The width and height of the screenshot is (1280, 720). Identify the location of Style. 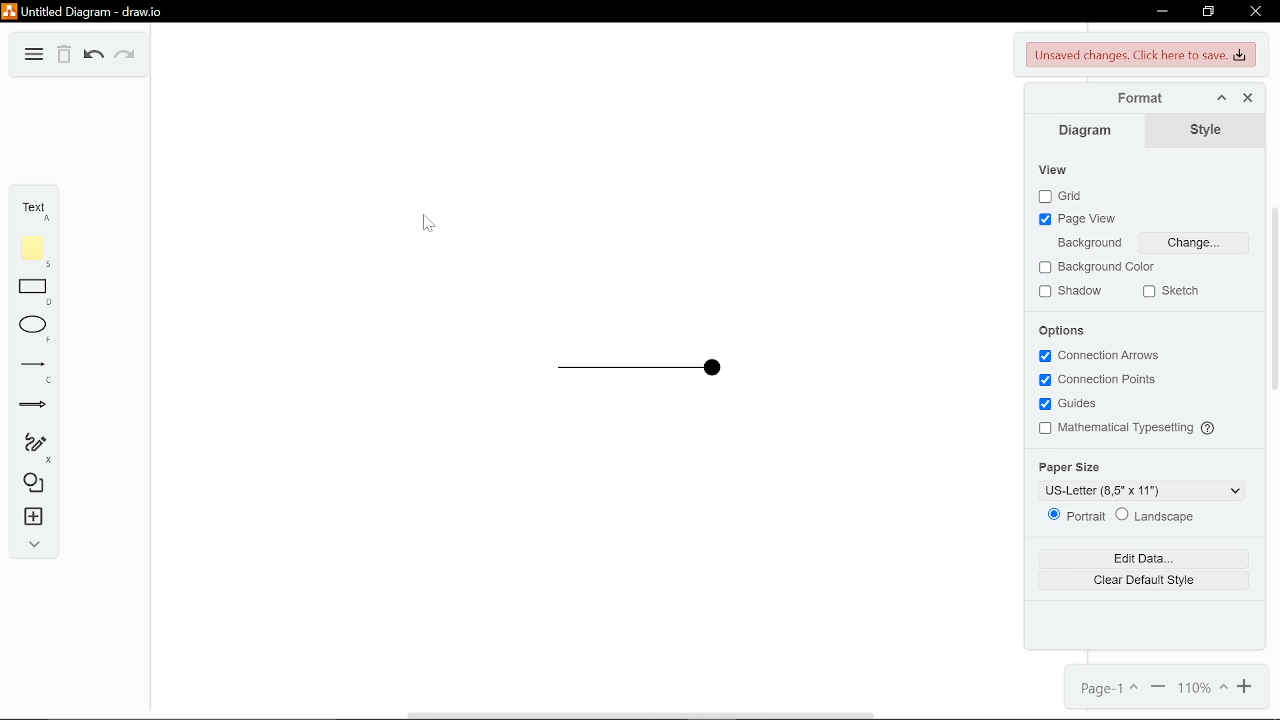
(1202, 130).